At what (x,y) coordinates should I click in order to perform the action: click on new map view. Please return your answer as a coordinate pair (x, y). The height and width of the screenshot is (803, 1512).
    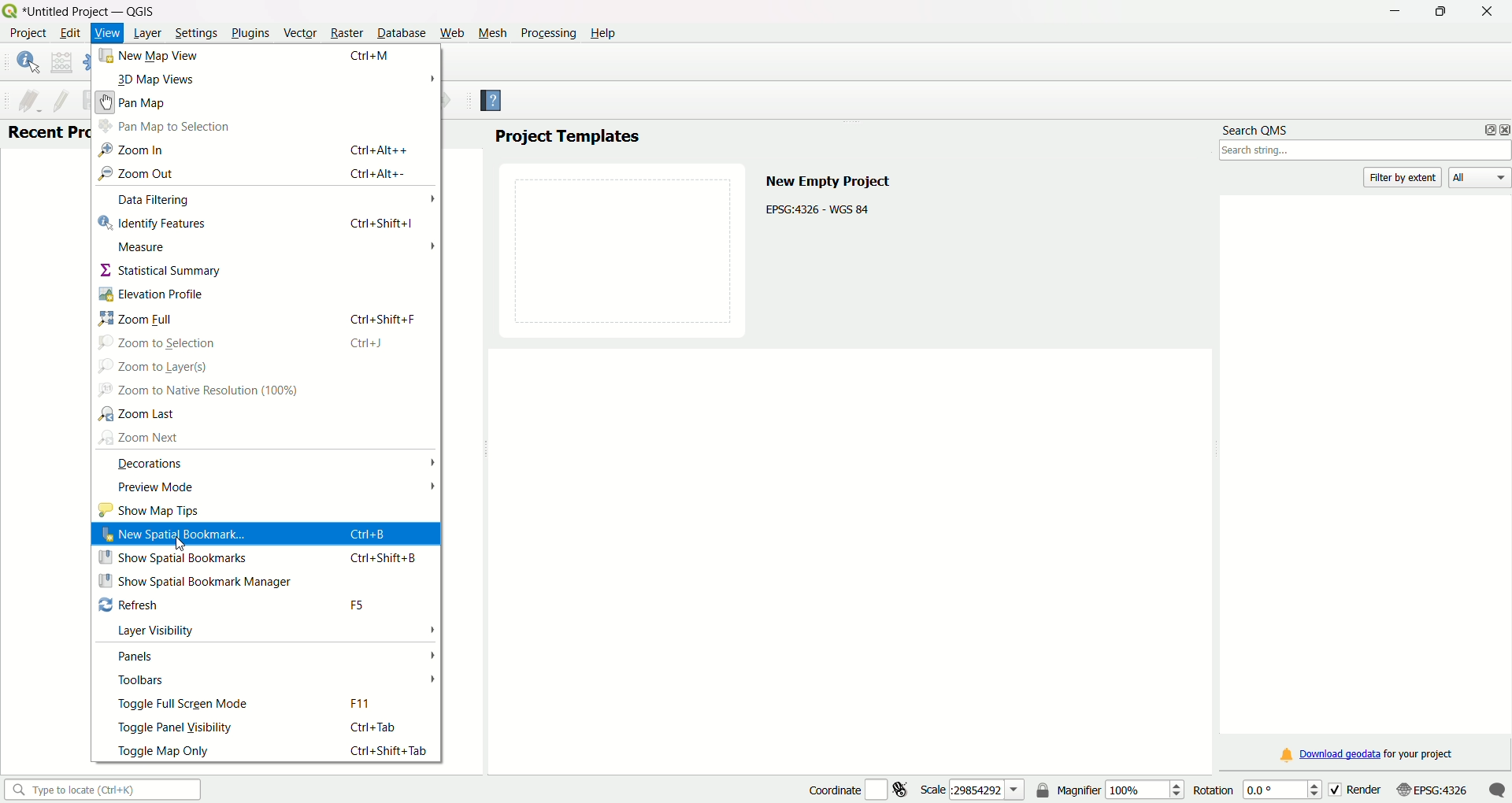
    Looking at the image, I should click on (150, 55).